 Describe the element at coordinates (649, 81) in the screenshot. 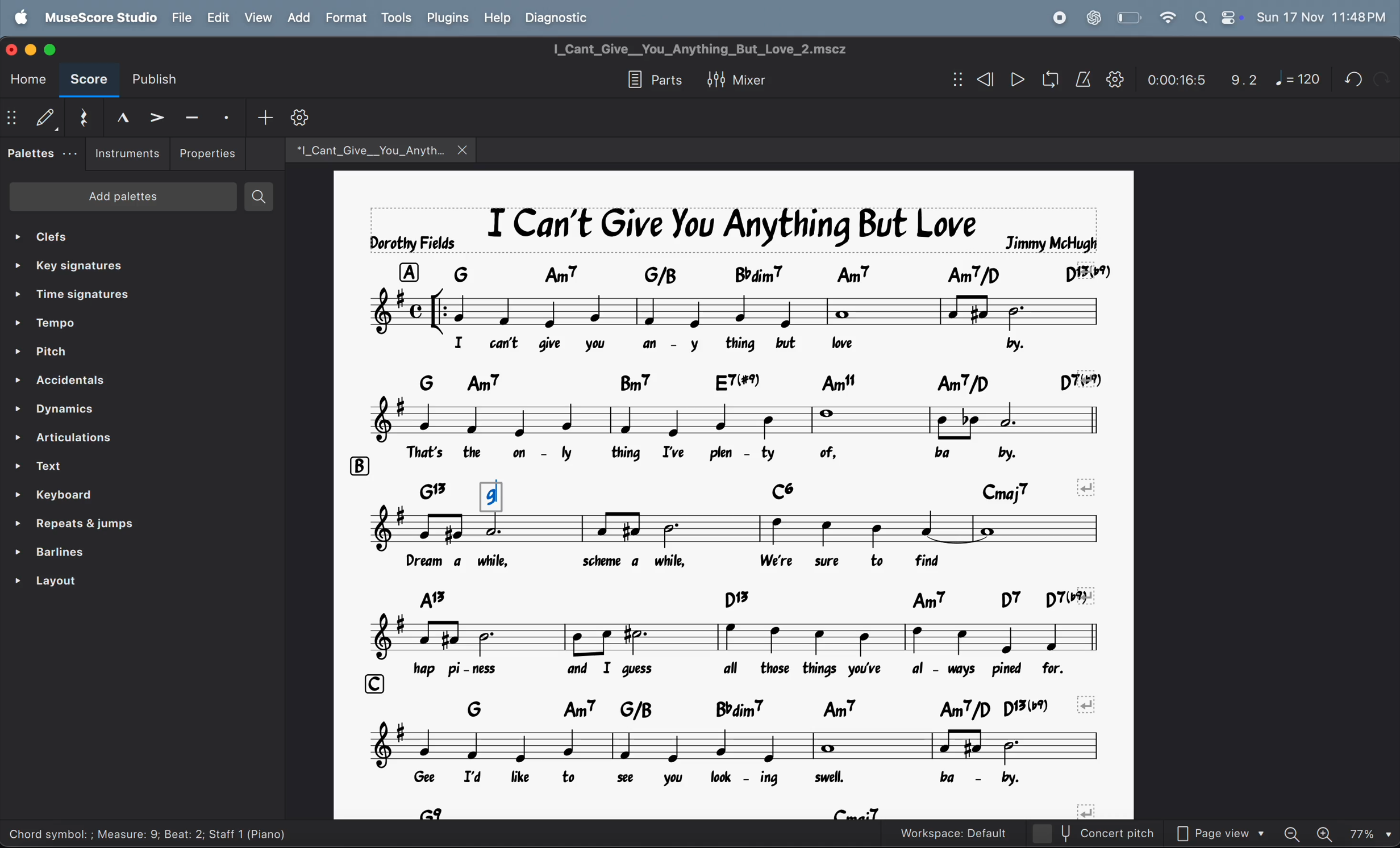

I see `parts` at that location.